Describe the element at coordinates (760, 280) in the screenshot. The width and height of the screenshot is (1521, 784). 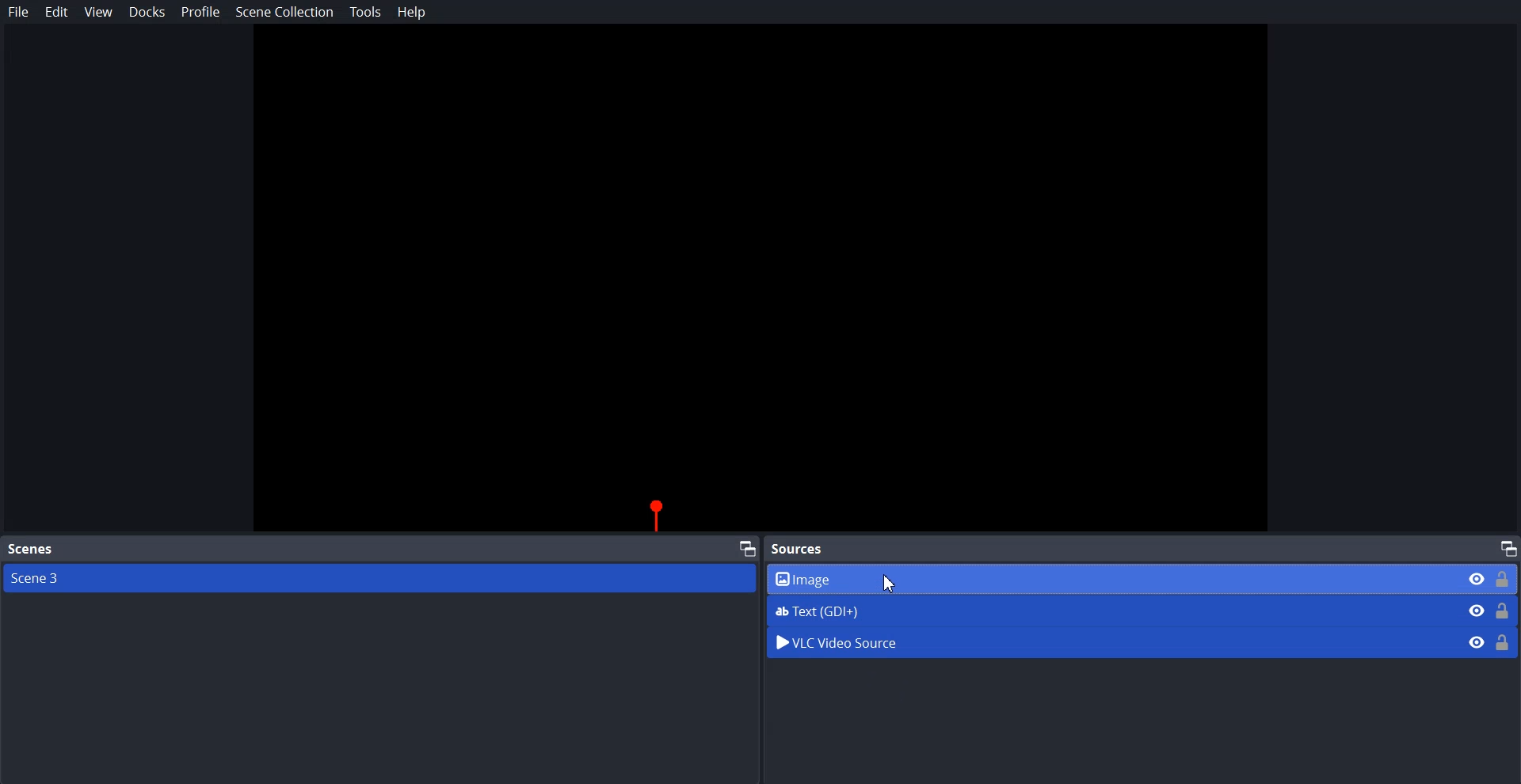
I see `Preview Window` at that location.